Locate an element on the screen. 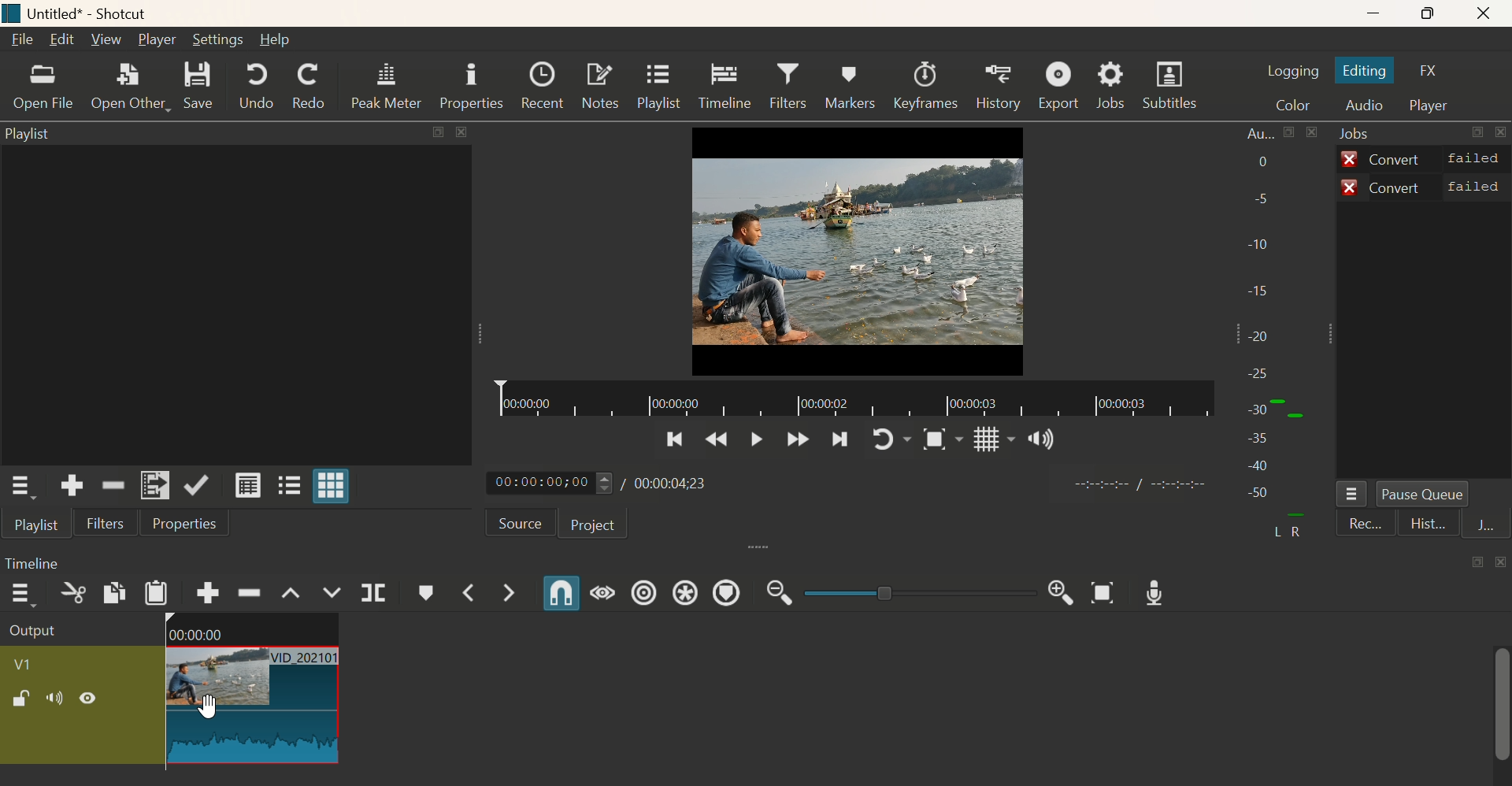 This screenshot has height=786, width=1512.  is located at coordinates (1058, 594).